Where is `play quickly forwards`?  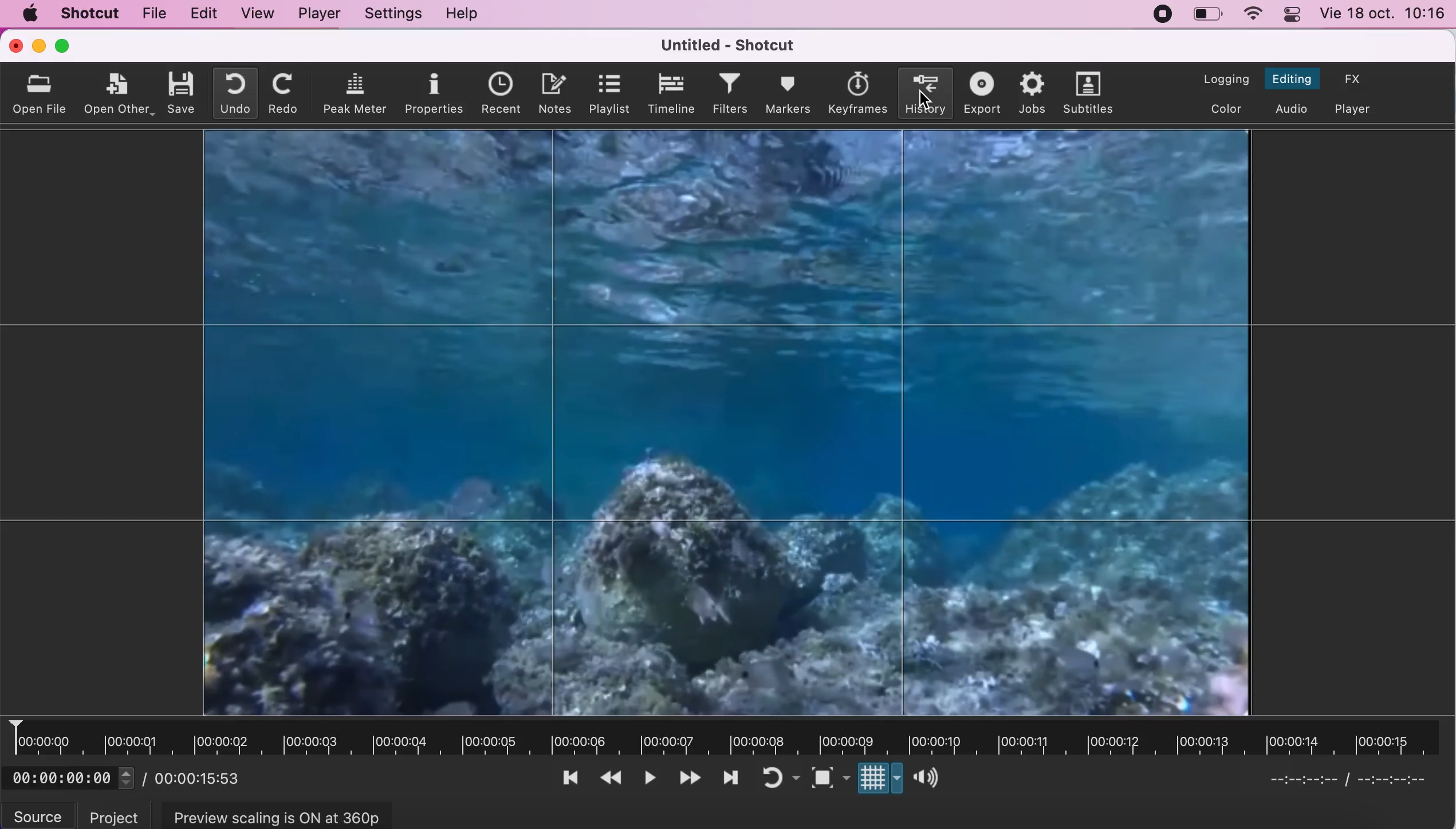
play quickly forwards is located at coordinates (689, 779).